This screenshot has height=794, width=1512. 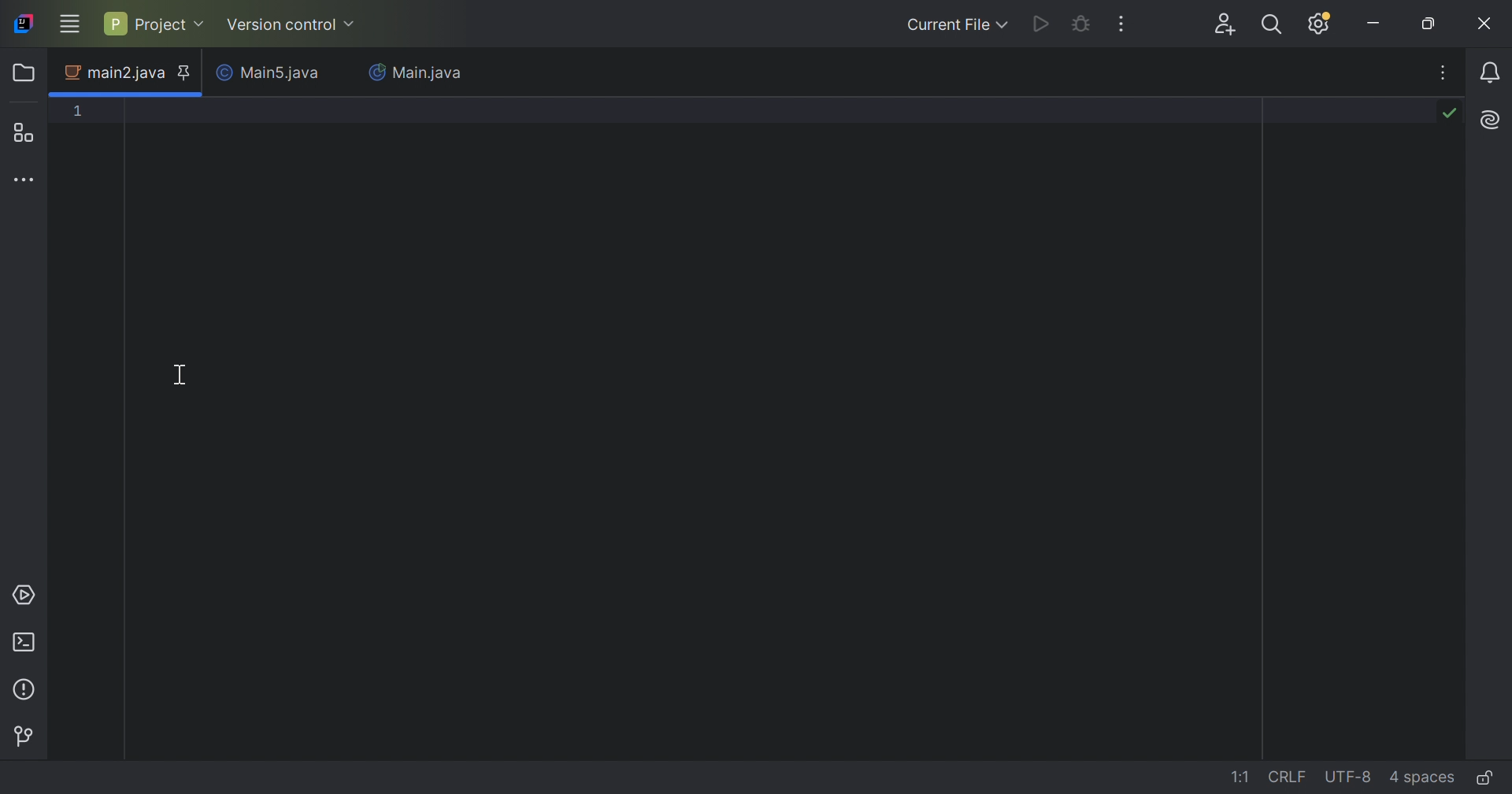 I want to click on line separator: \r\n, so click(x=1288, y=777).